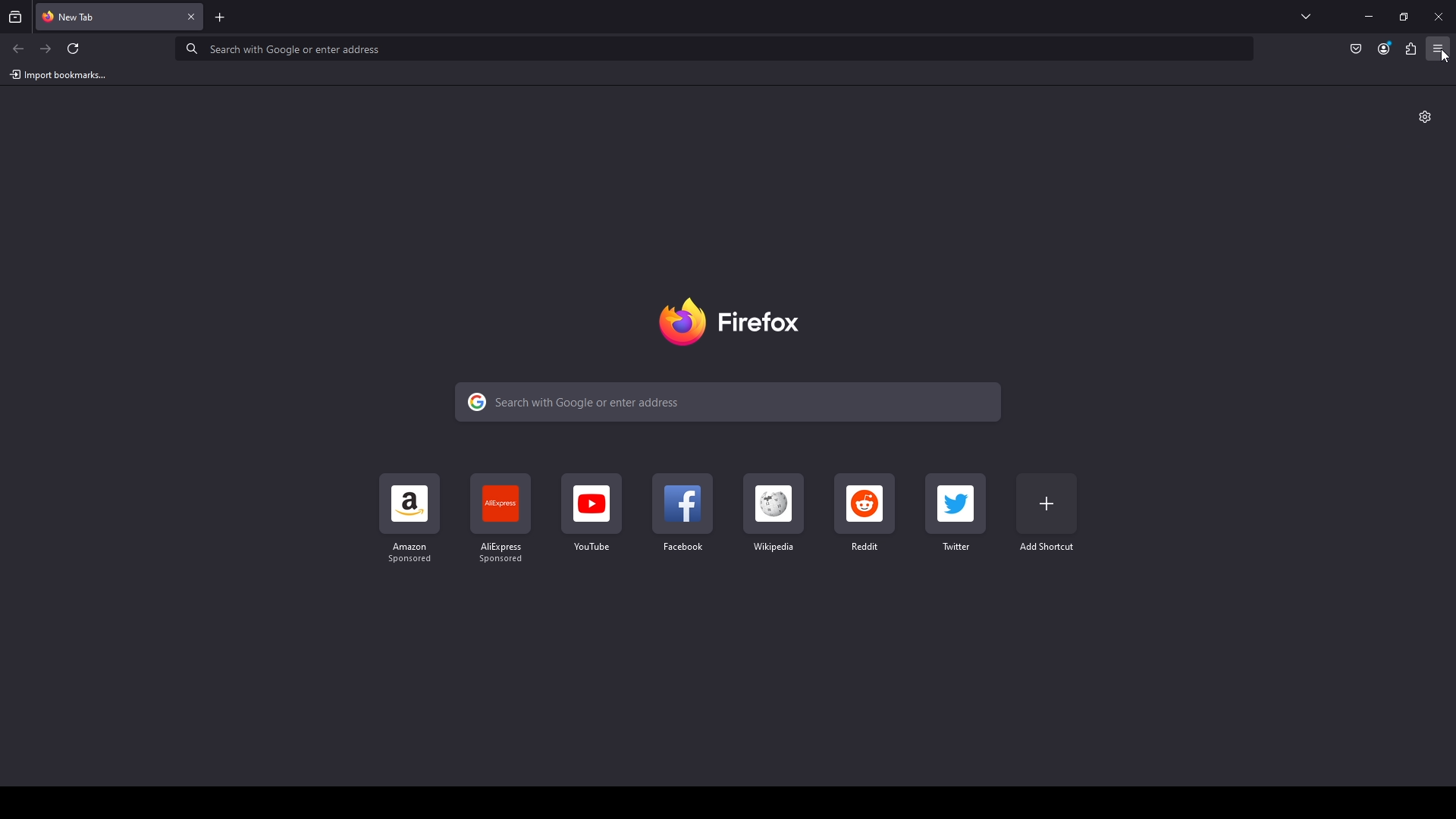  Describe the element at coordinates (412, 519) in the screenshot. I see `Amazon sponsored` at that location.